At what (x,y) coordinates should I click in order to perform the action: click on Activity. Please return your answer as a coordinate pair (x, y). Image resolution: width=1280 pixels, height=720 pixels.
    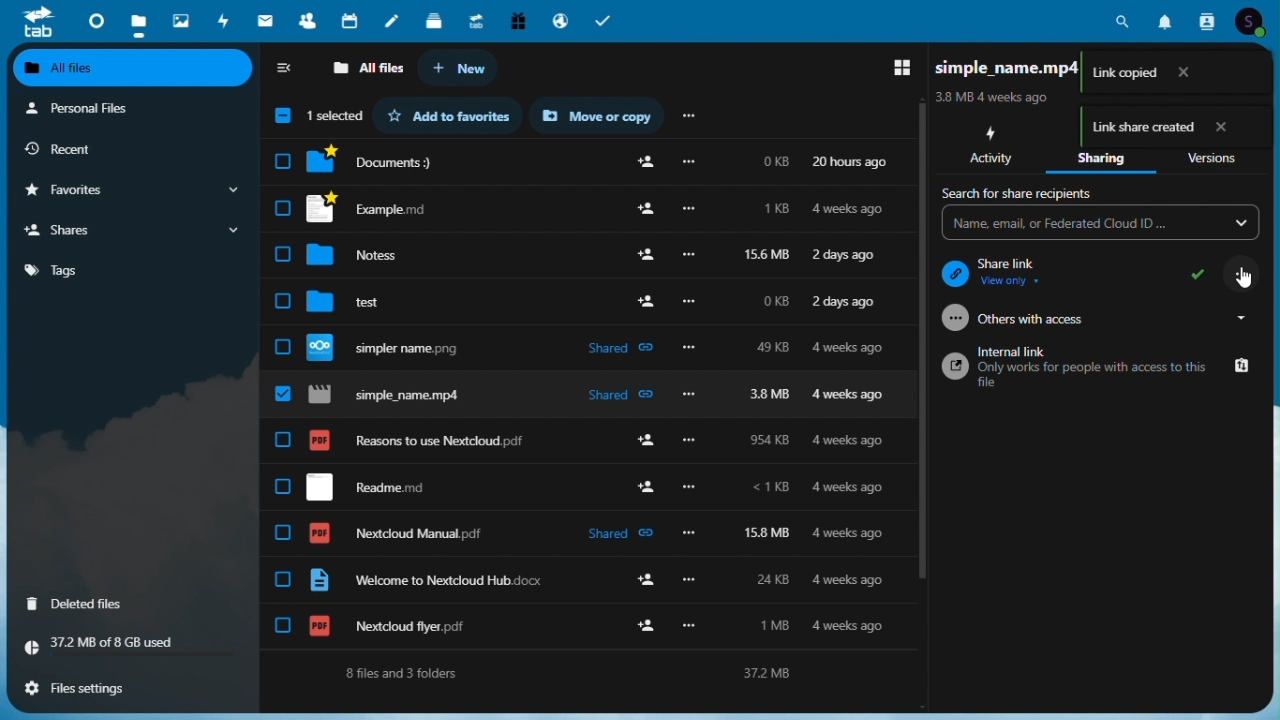
    Looking at the image, I should click on (992, 146).